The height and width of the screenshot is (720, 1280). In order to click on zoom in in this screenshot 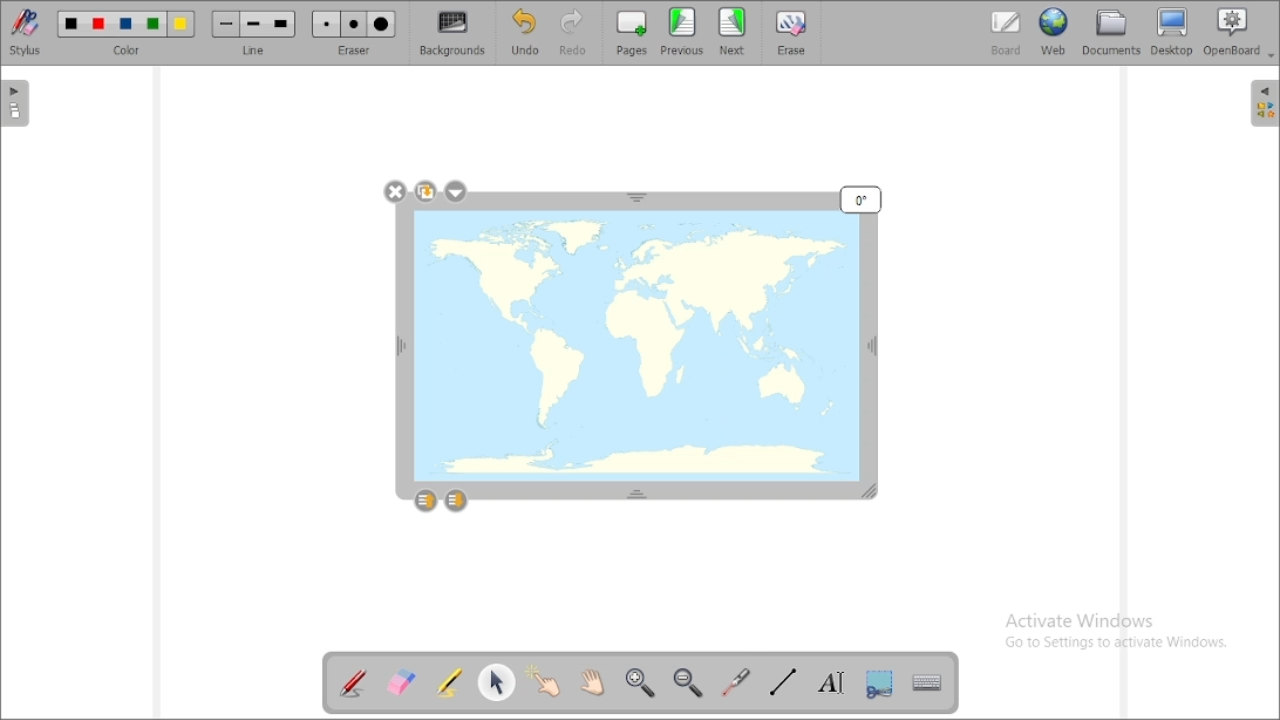, I will do `click(640, 681)`.